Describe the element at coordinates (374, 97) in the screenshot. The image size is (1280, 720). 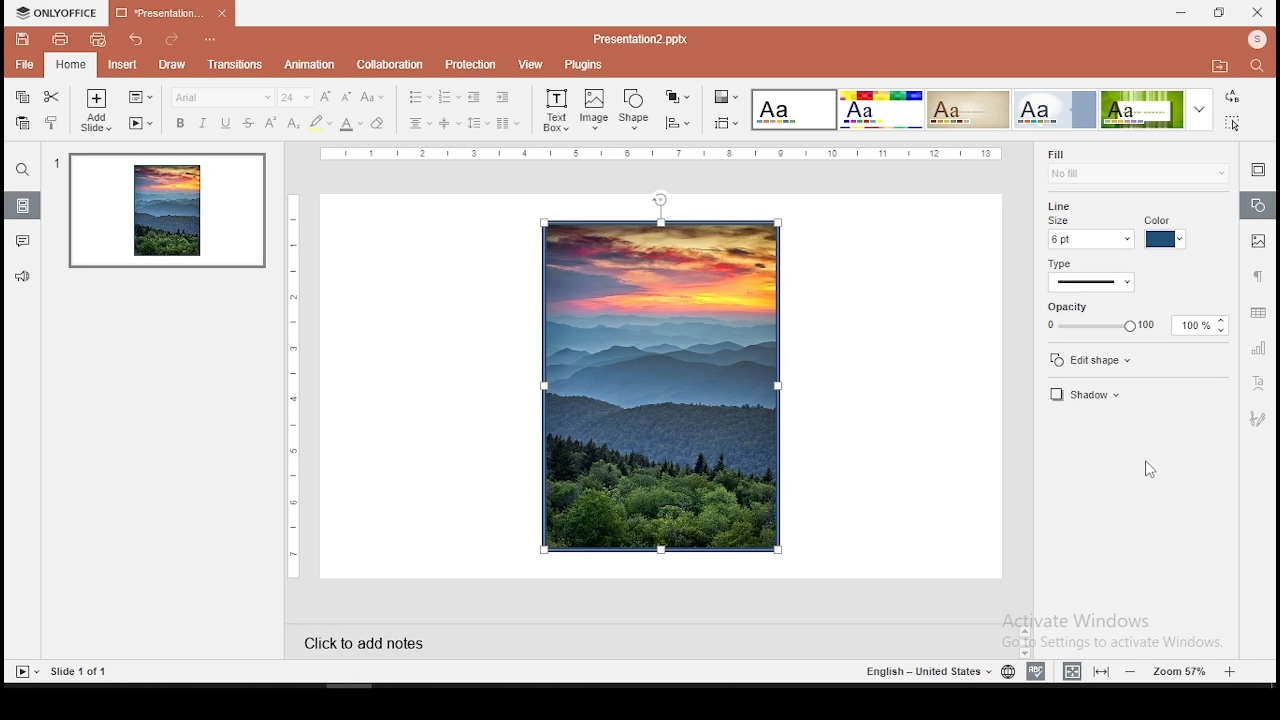
I see `change case` at that location.